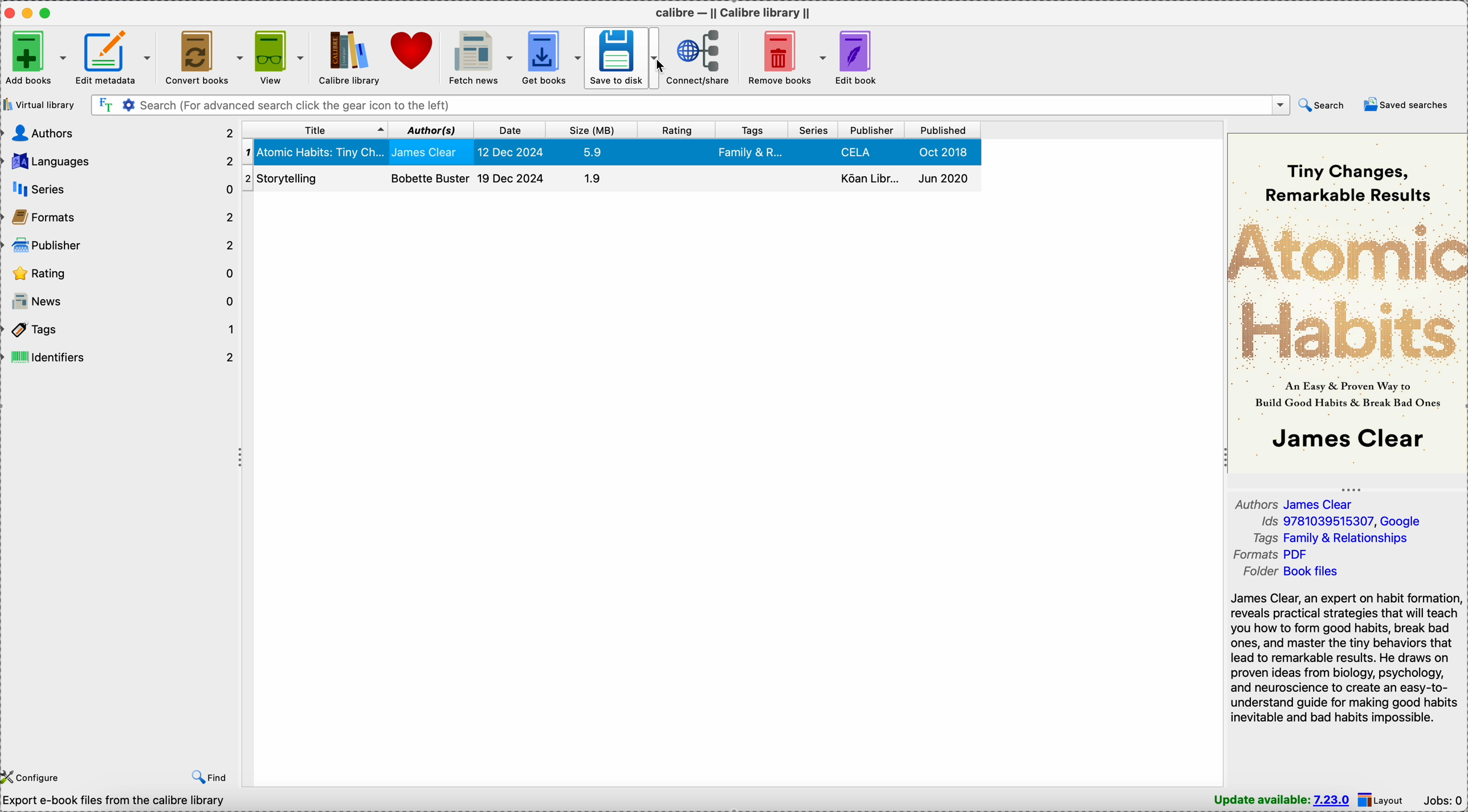 Image resolution: width=1468 pixels, height=812 pixels. I want to click on layout, so click(1381, 800).